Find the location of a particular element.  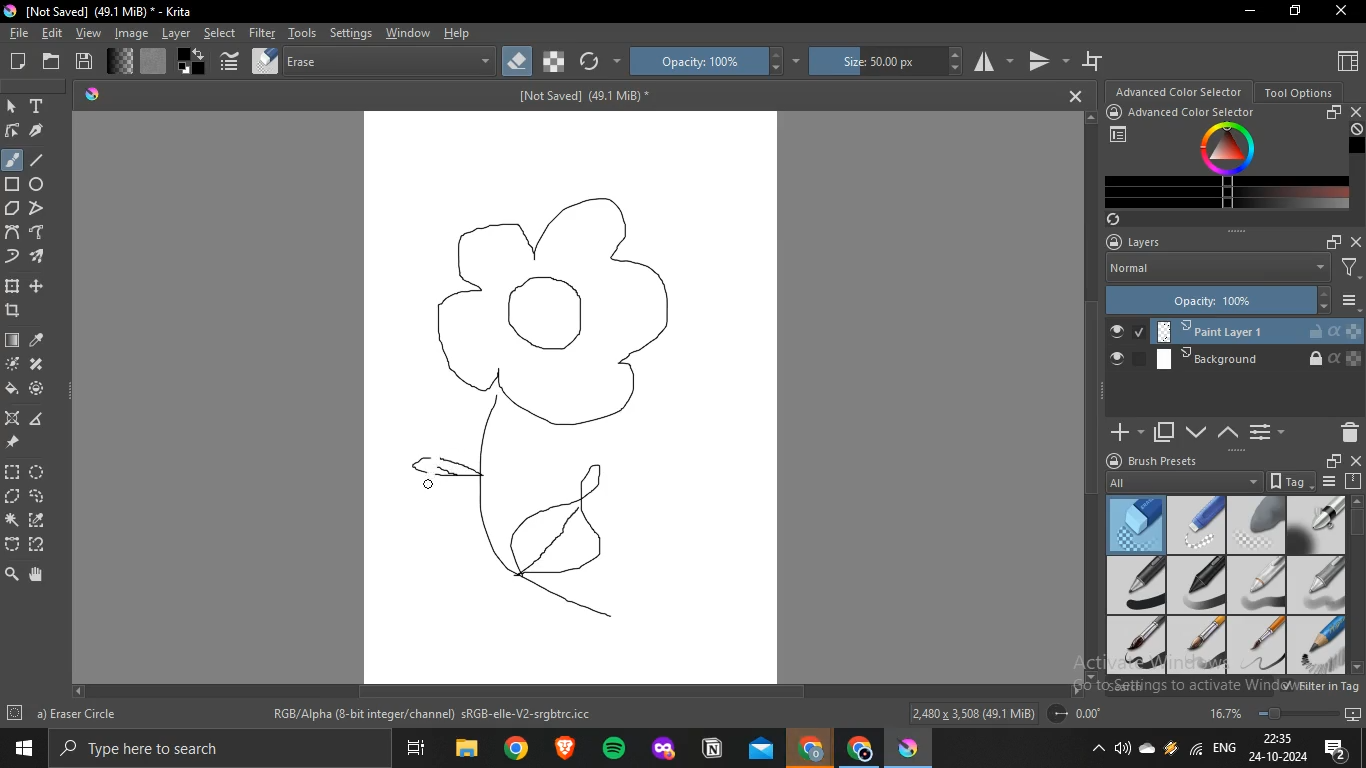

brush presets is located at coordinates (1165, 460).